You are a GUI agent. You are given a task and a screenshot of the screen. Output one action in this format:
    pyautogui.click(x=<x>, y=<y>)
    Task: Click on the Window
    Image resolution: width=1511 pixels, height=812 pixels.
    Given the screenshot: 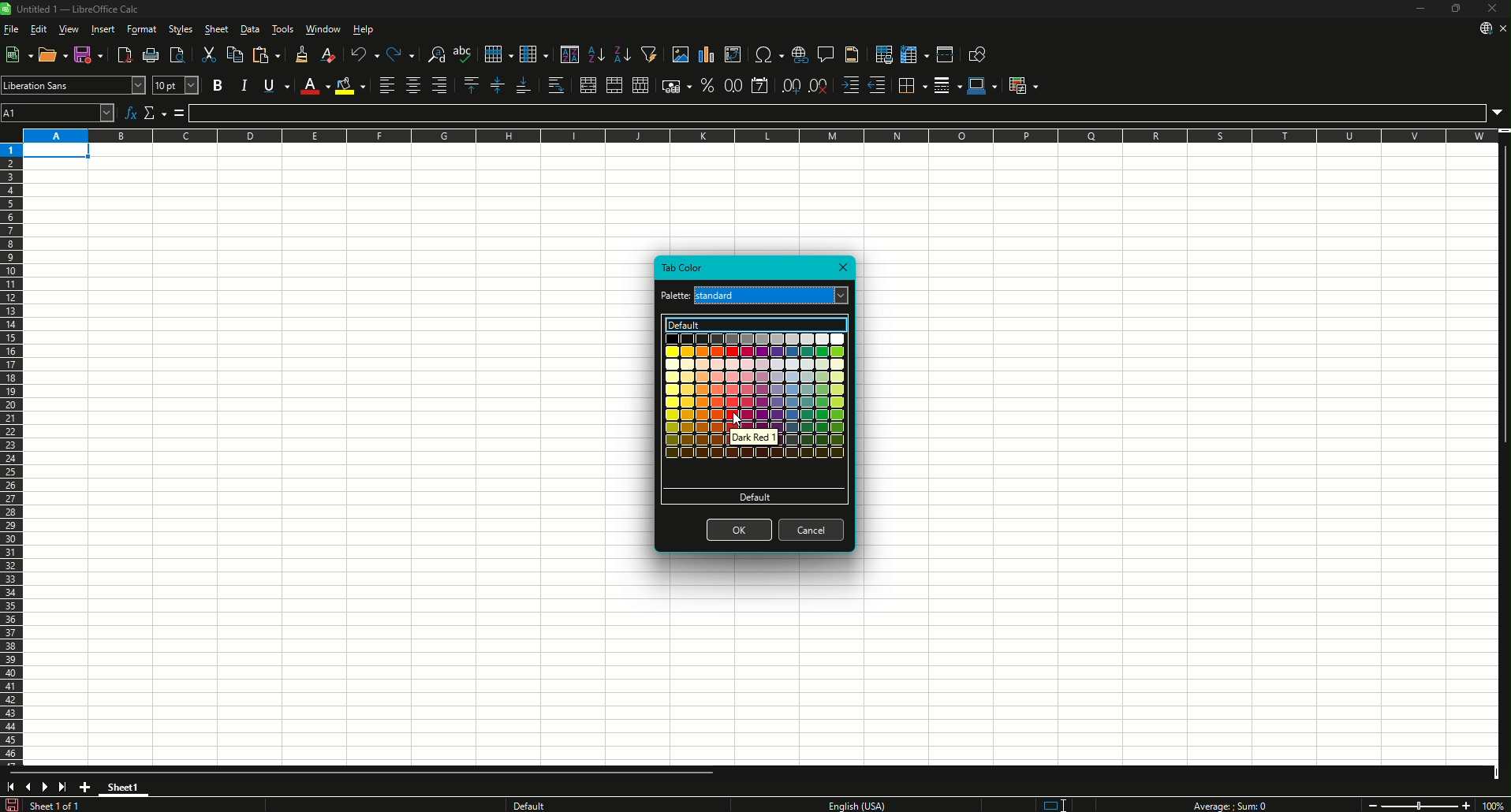 What is the action you would take?
    pyautogui.click(x=324, y=28)
    